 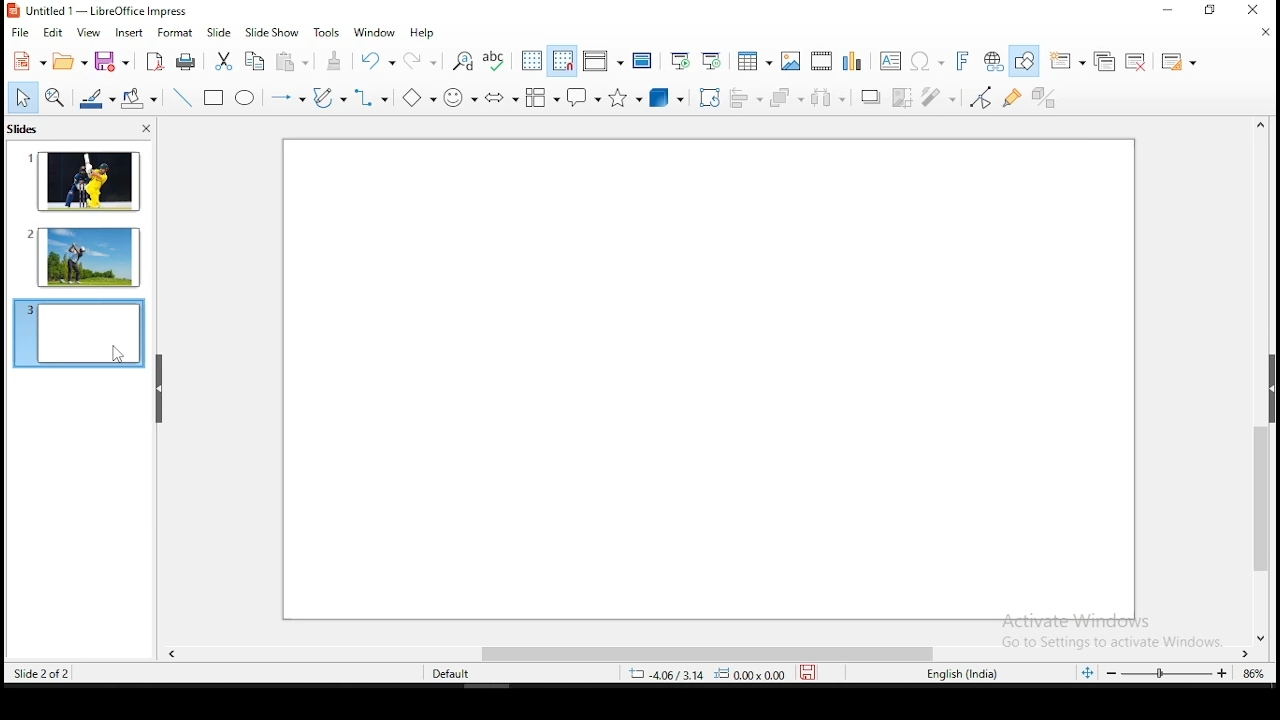 What do you see at coordinates (980, 97) in the screenshot?
I see `toggle point edit mode` at bounding box center [980, 97].